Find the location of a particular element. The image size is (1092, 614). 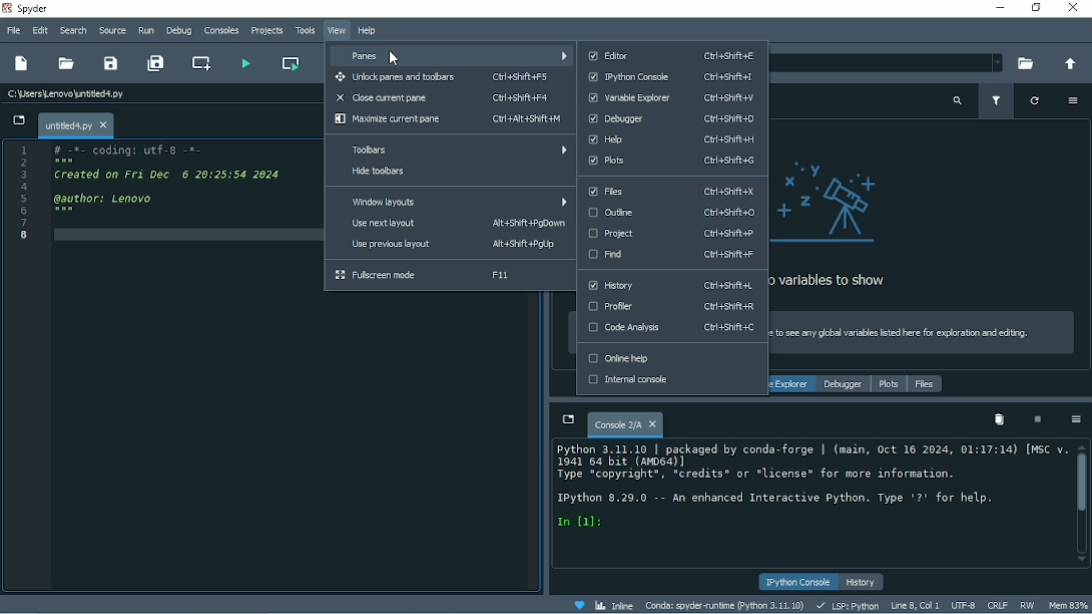

Consoles is located at coordinates (221, 30).